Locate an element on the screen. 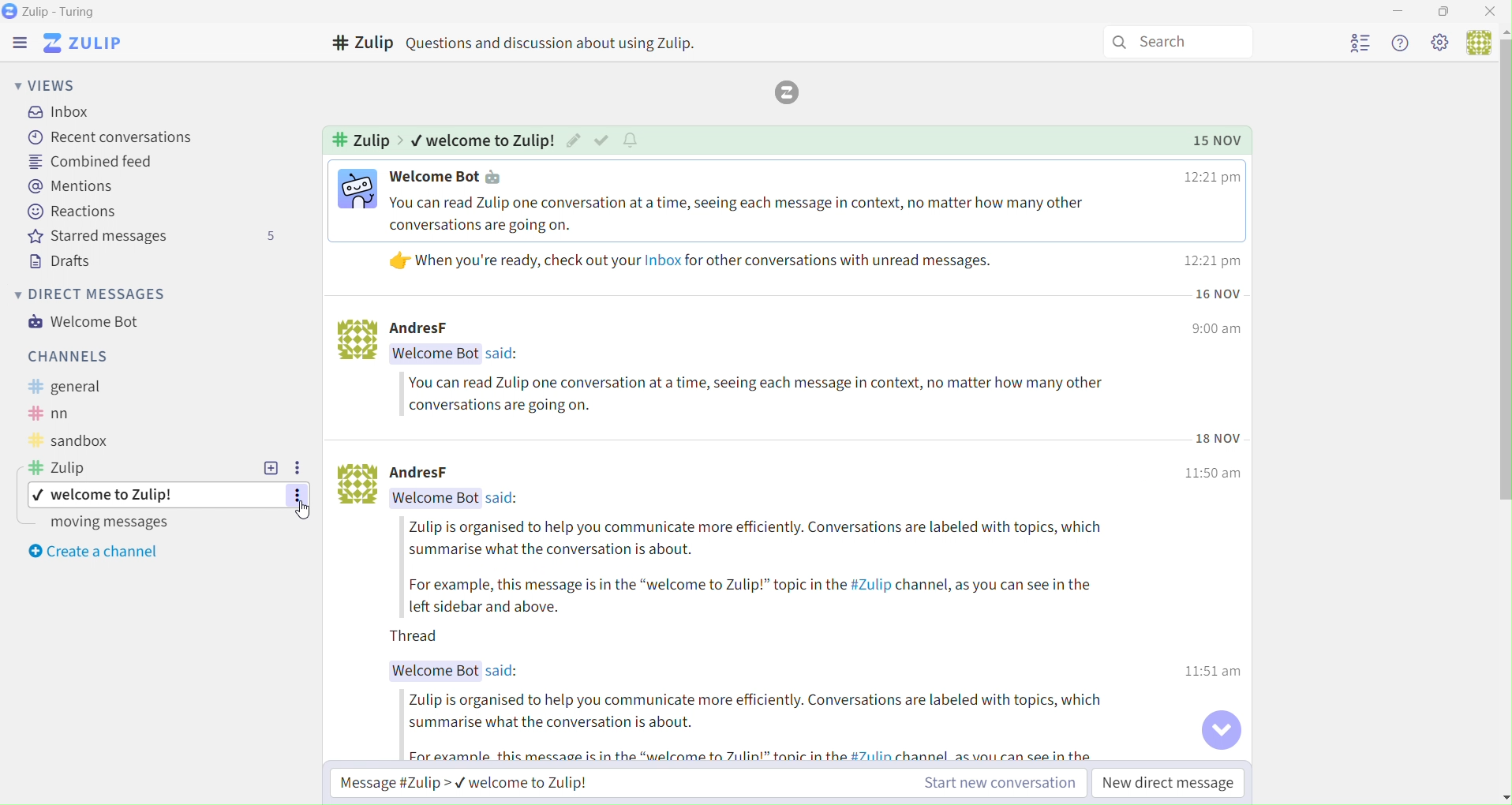 The image size is (1512, 805). Settings is located at coordinates (295, 469).